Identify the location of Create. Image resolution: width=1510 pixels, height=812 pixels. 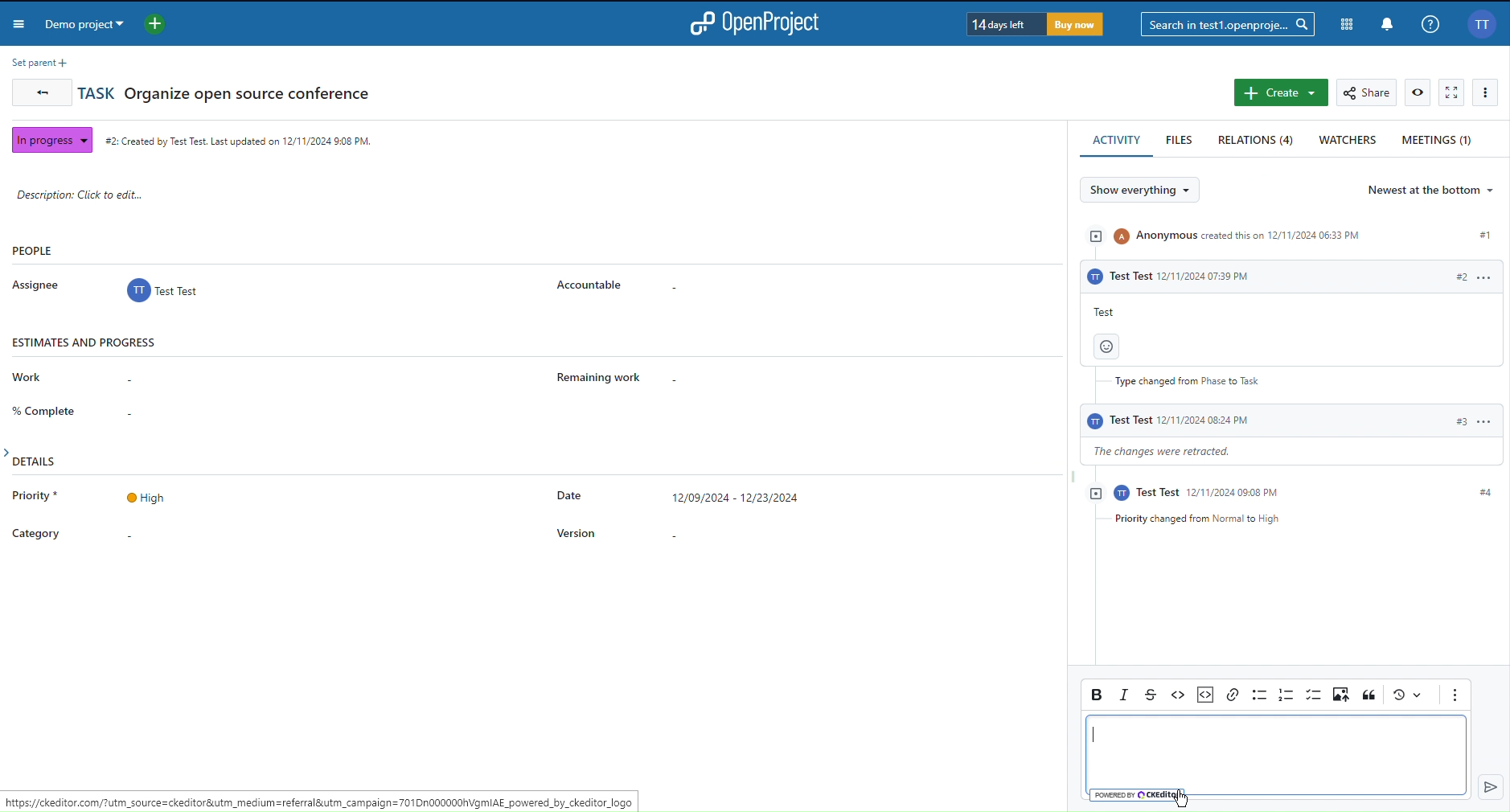
(1280, 93).